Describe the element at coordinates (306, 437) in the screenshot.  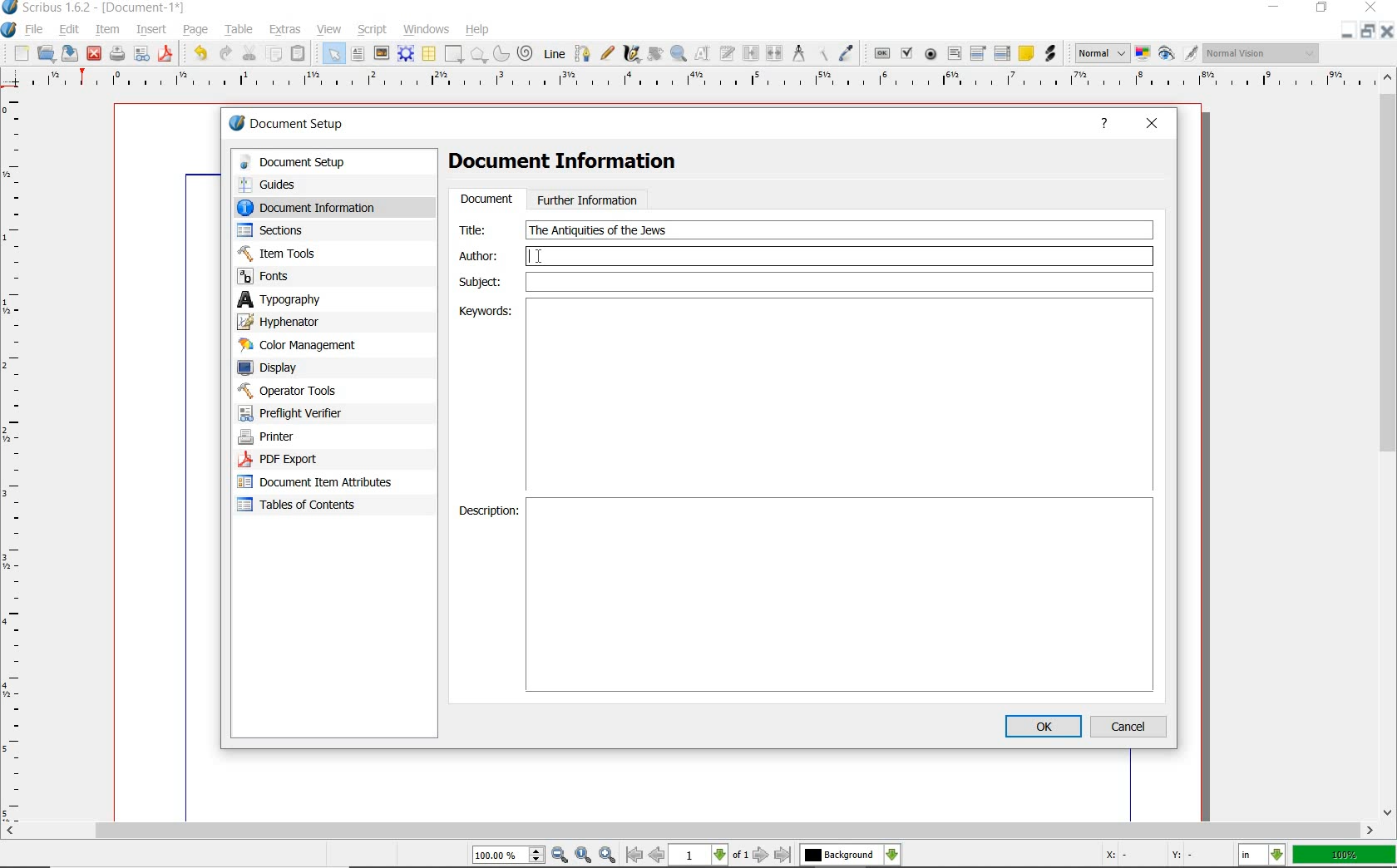
I see `printer` at that location.